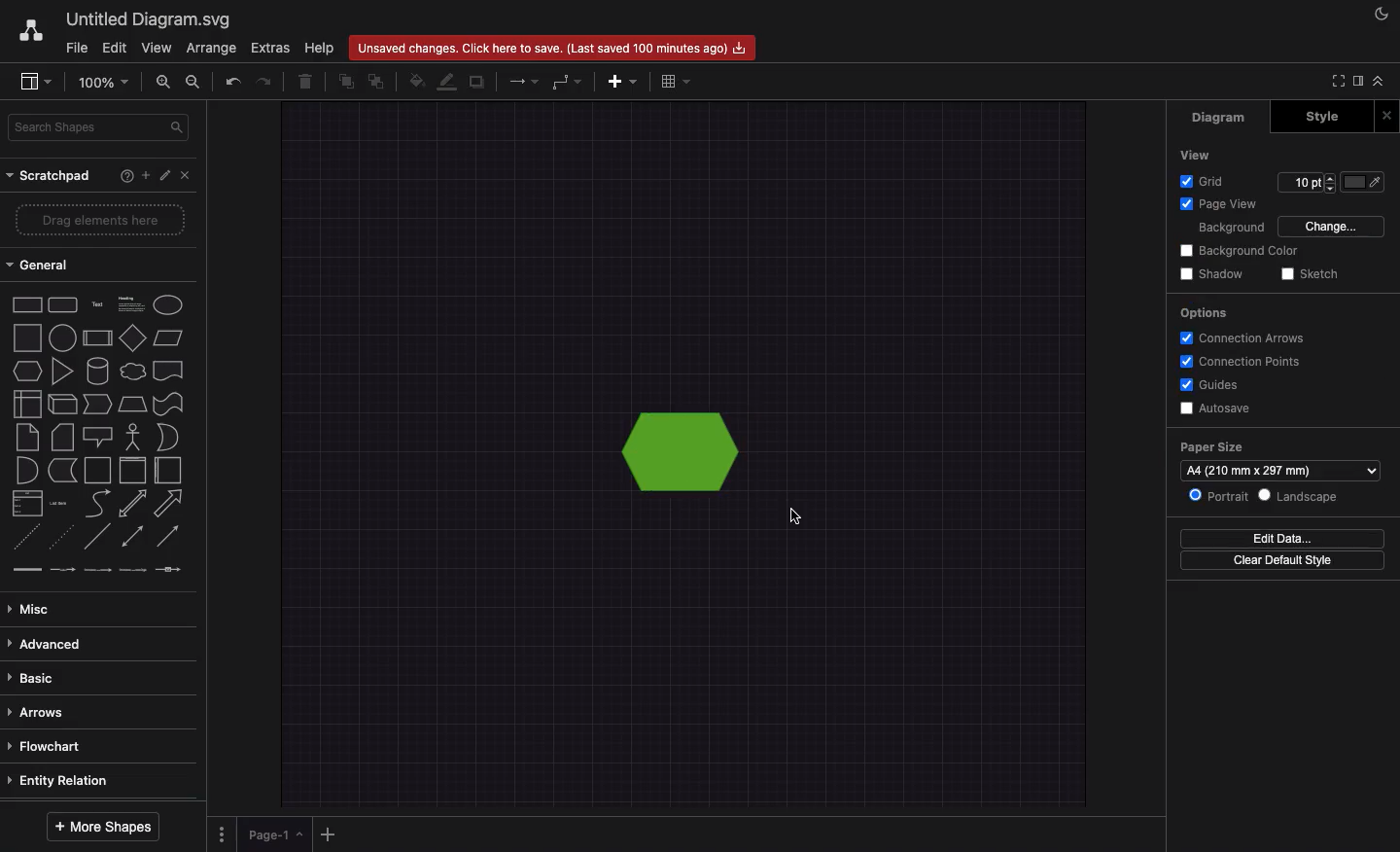 Image resolution: width=1400 pixels, height=852 pixels. What do you see at coordinates (271, 47) in the screenshot?
I see `Extras` at bounding box center [271, 47].